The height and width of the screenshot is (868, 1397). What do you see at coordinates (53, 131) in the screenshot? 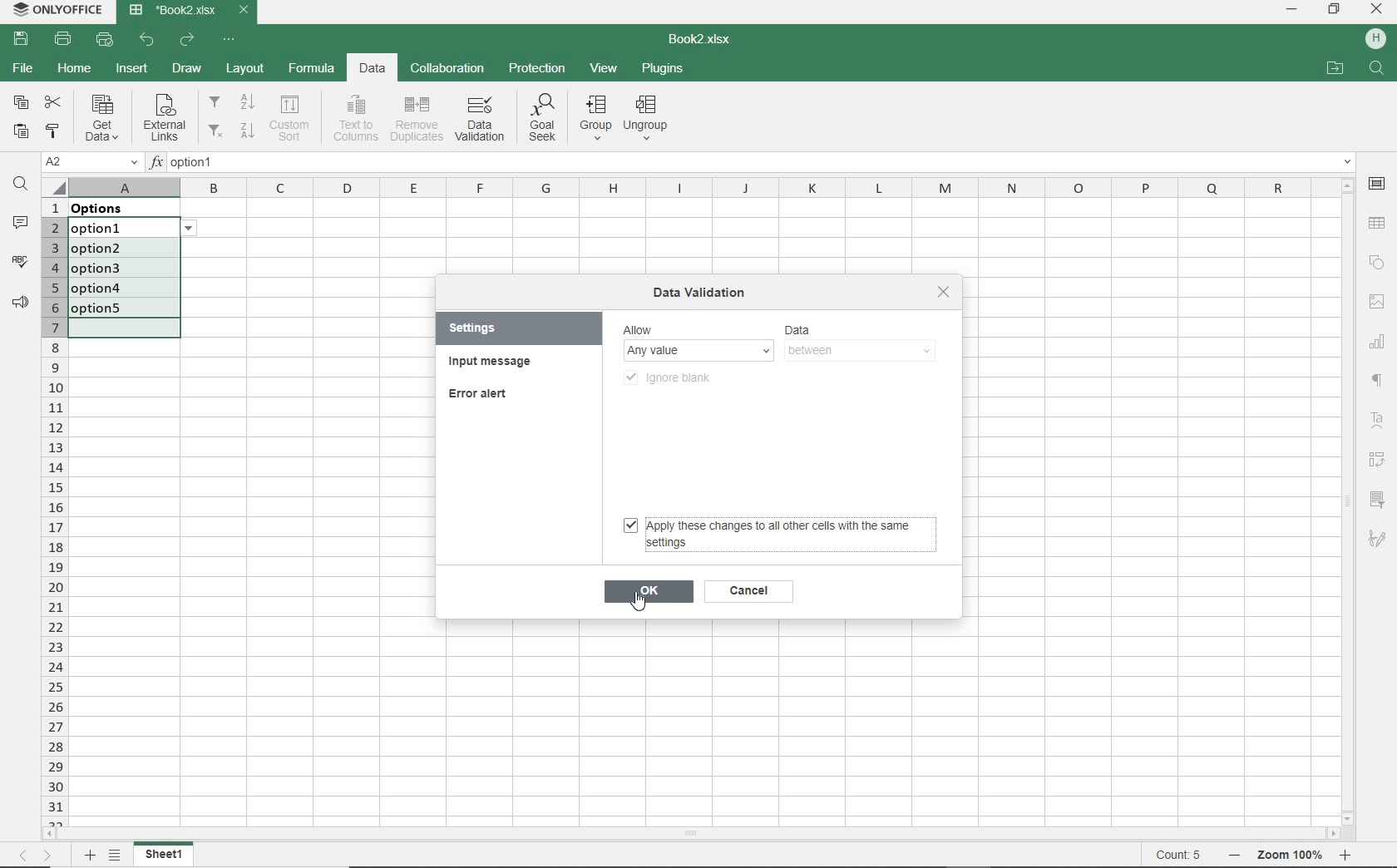
I see `COPY STYLE` at bounding box center [53, 131].